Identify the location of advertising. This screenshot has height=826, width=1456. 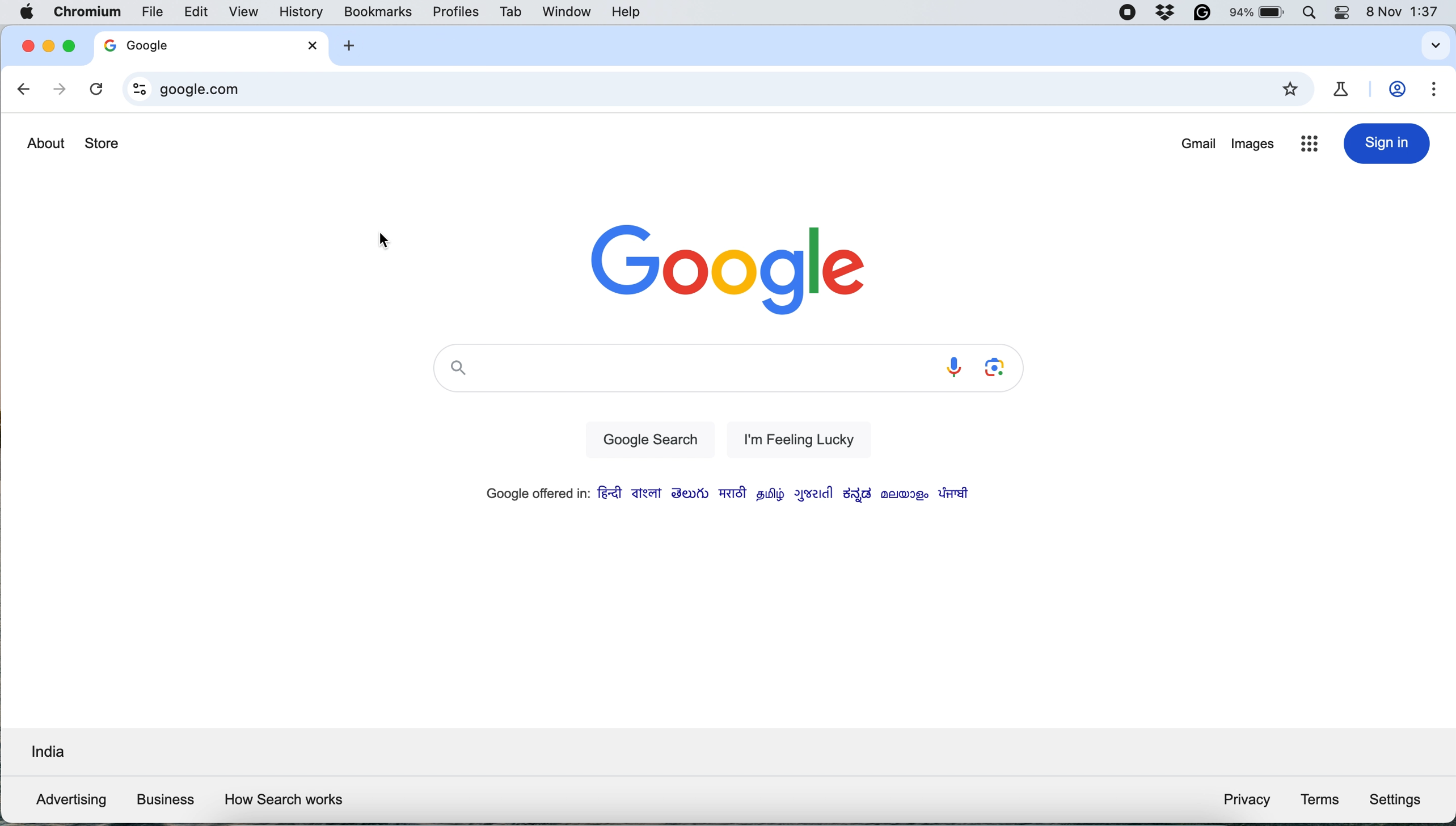
(67, 800).